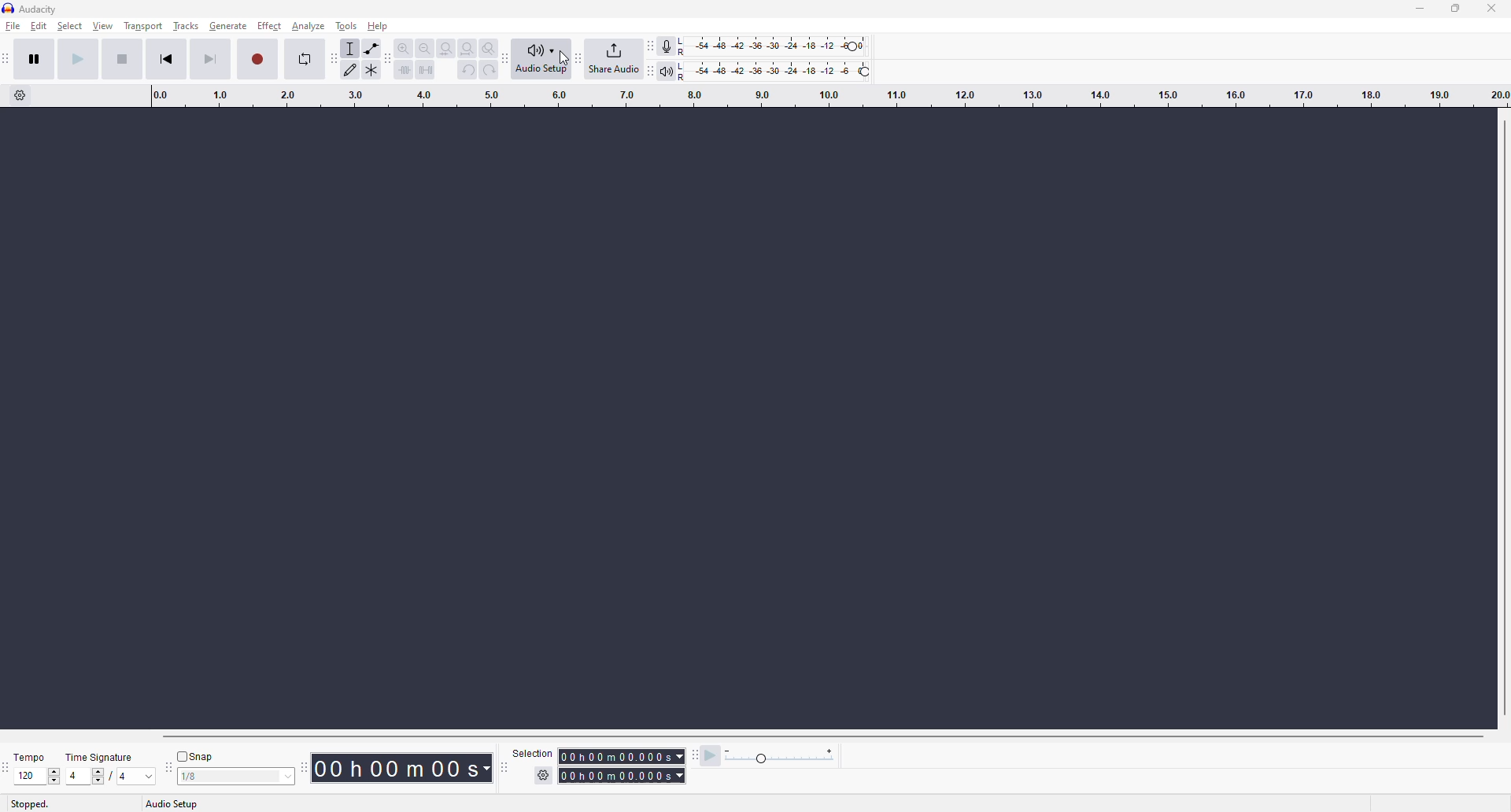  Describe the element at coordinates (79, 59) in the screenshot. I see `play` at that location.